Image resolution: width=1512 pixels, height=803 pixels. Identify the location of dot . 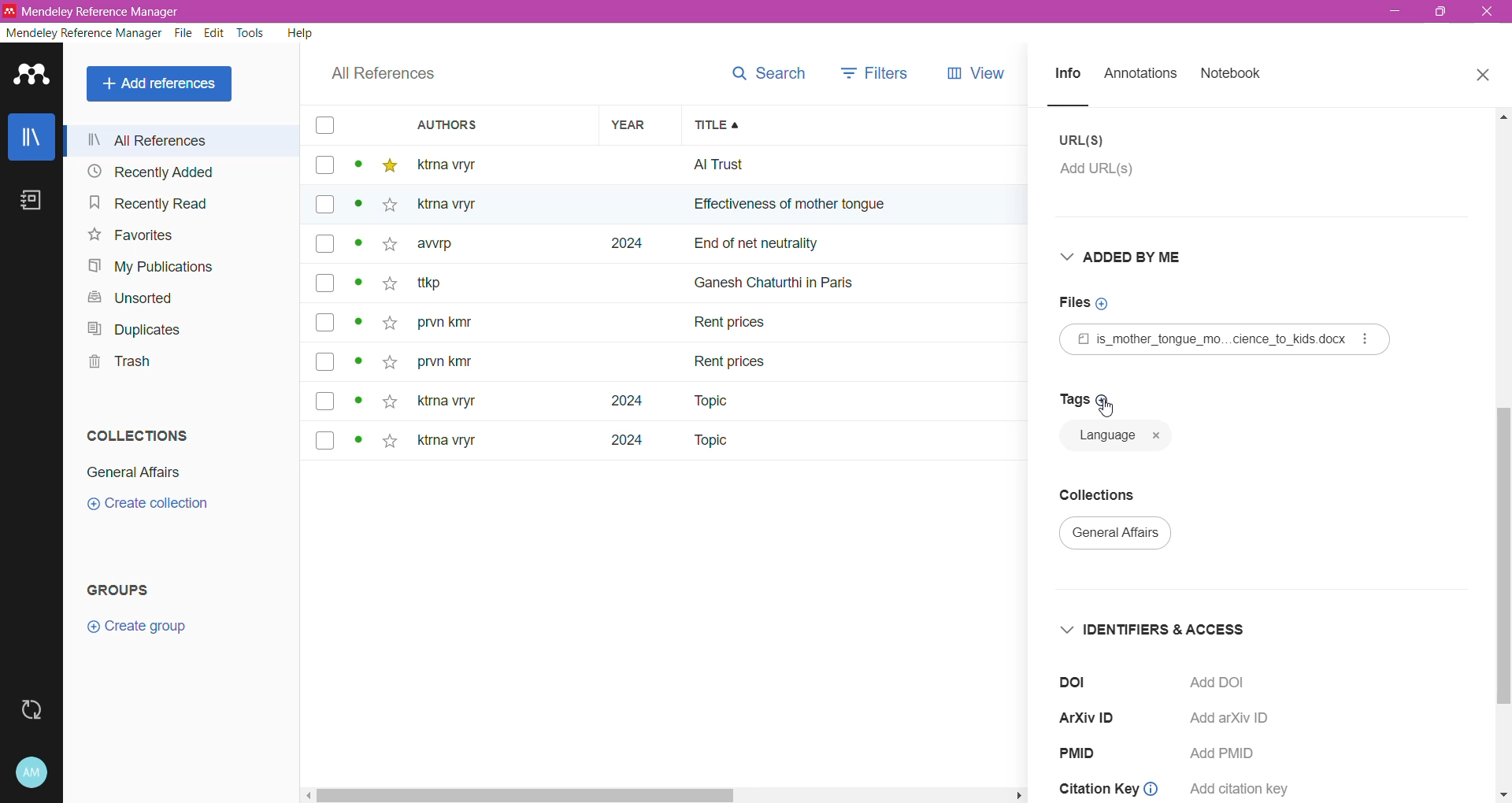
(357, 168).